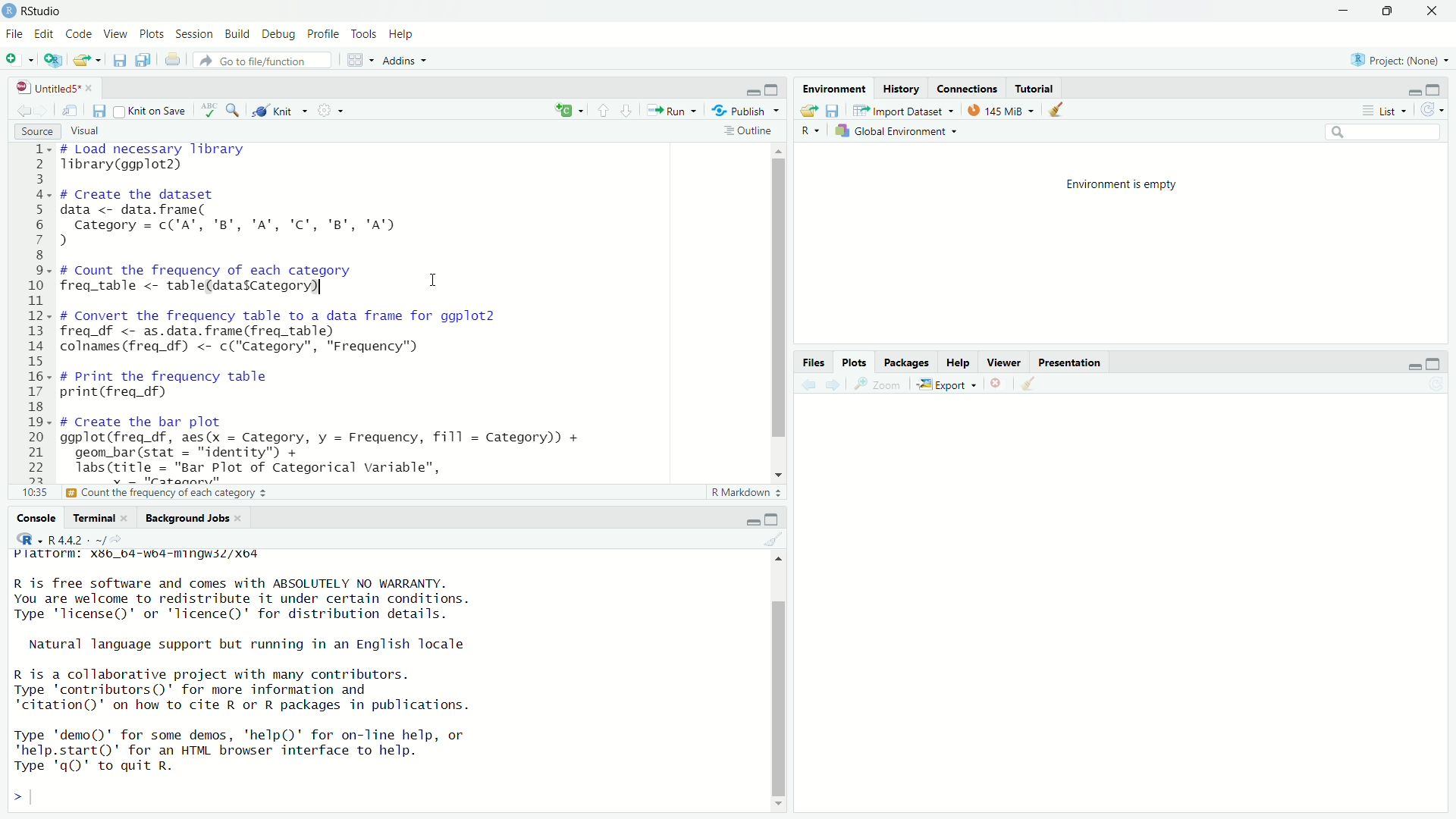 The height and width of the screenshot is (819, 1456). What do you see at coordinates (629, 113) in the screenshot?
I see `next section` at bounding box center [629, 113].